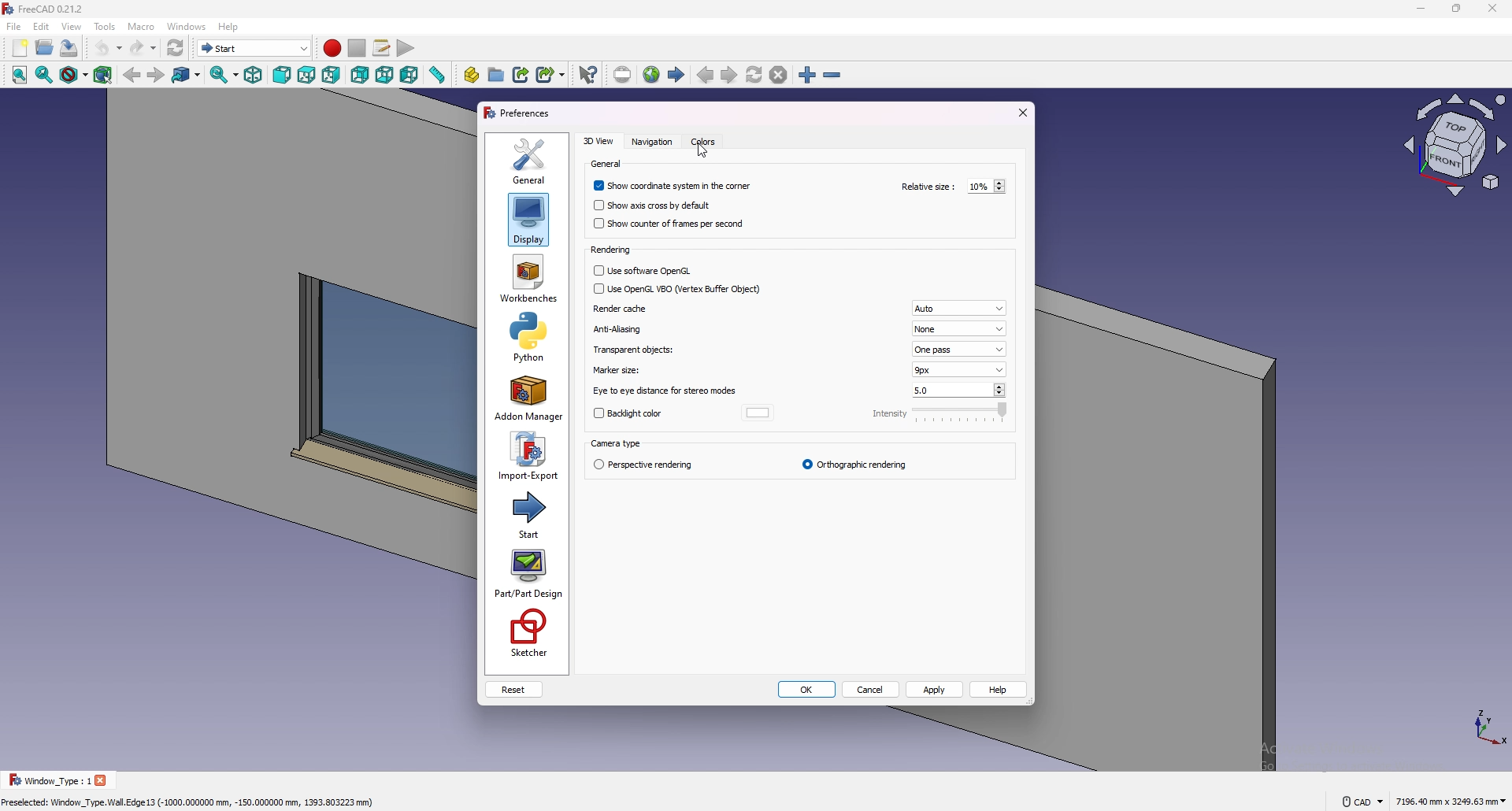  Describe the element at coordinates (936, 689) in the screenshot. I see `apply` at that location.